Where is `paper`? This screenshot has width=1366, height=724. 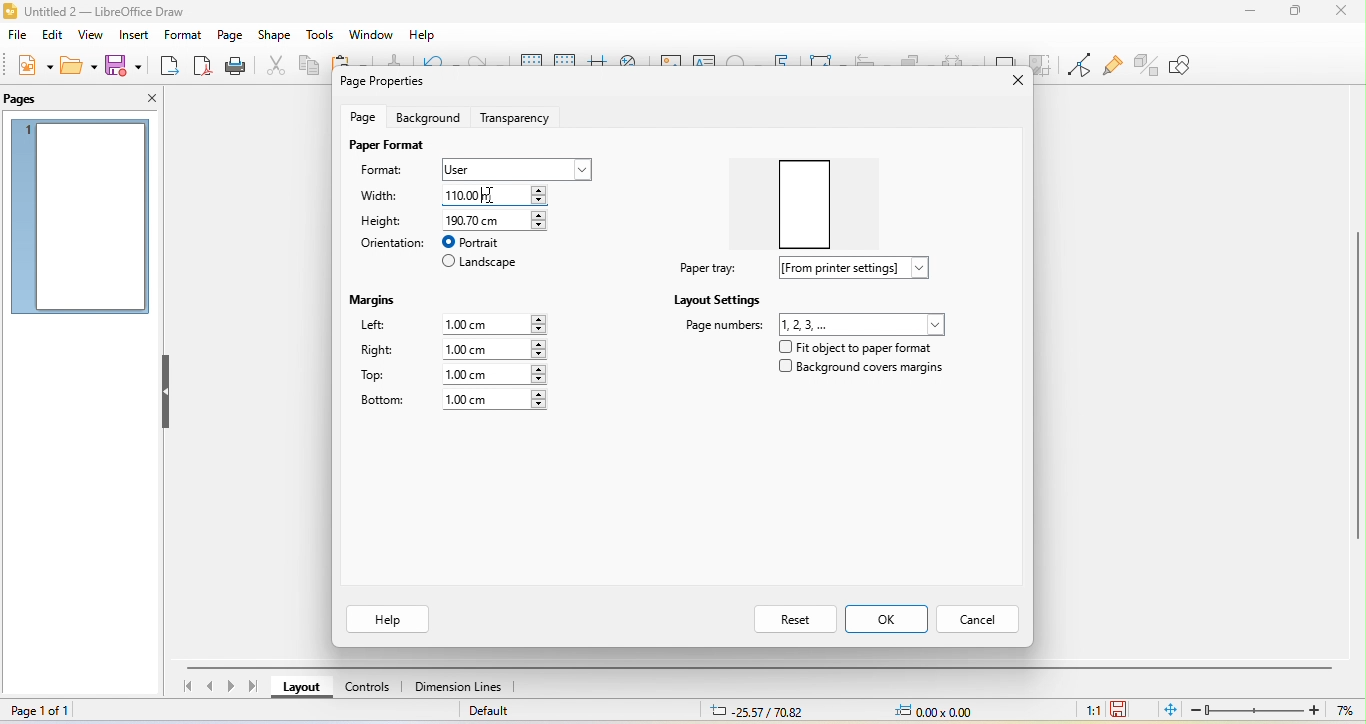
paper is located at coordinates (812, 197).